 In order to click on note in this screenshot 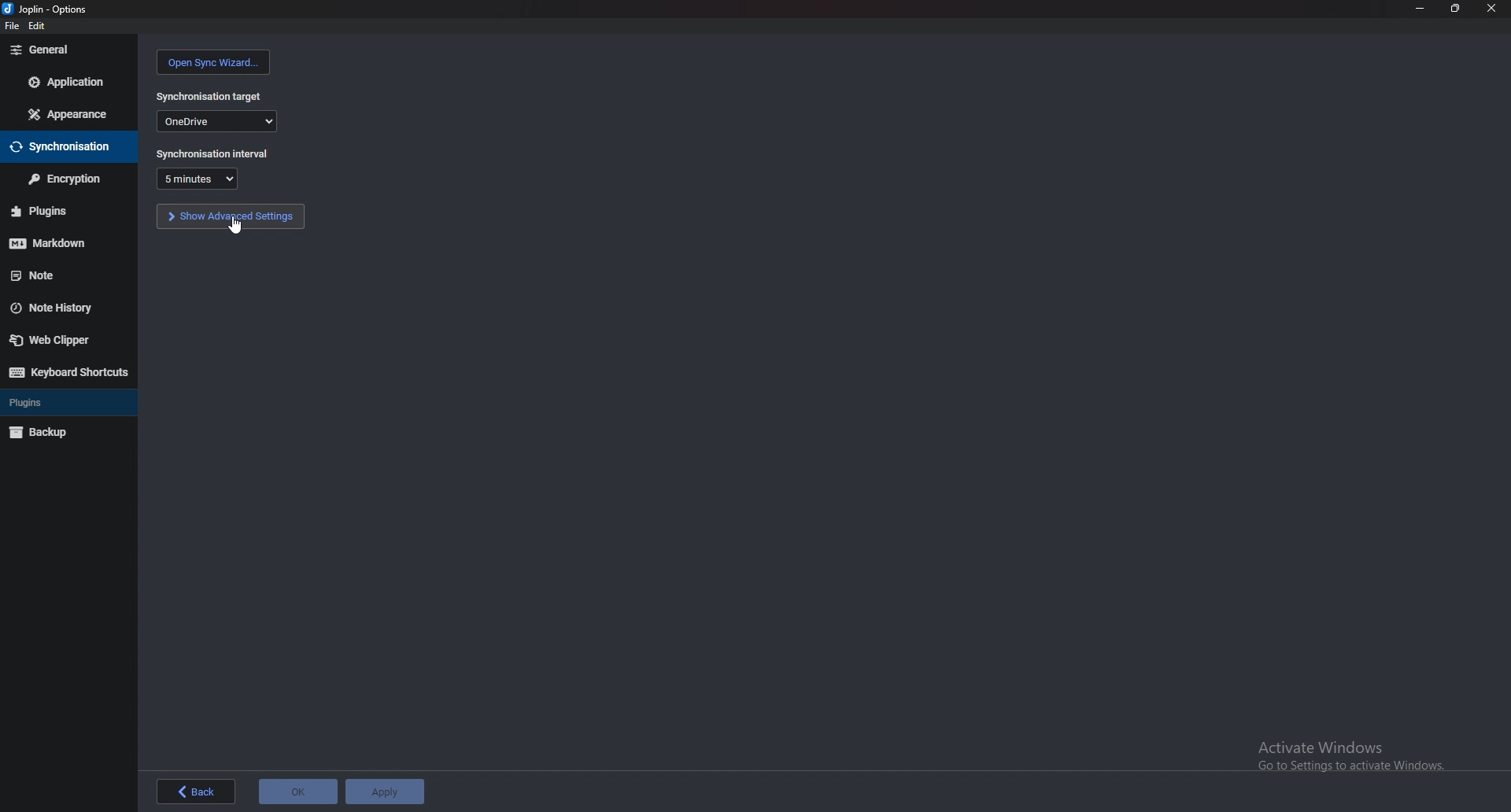, I will do `click(61, 274)`.